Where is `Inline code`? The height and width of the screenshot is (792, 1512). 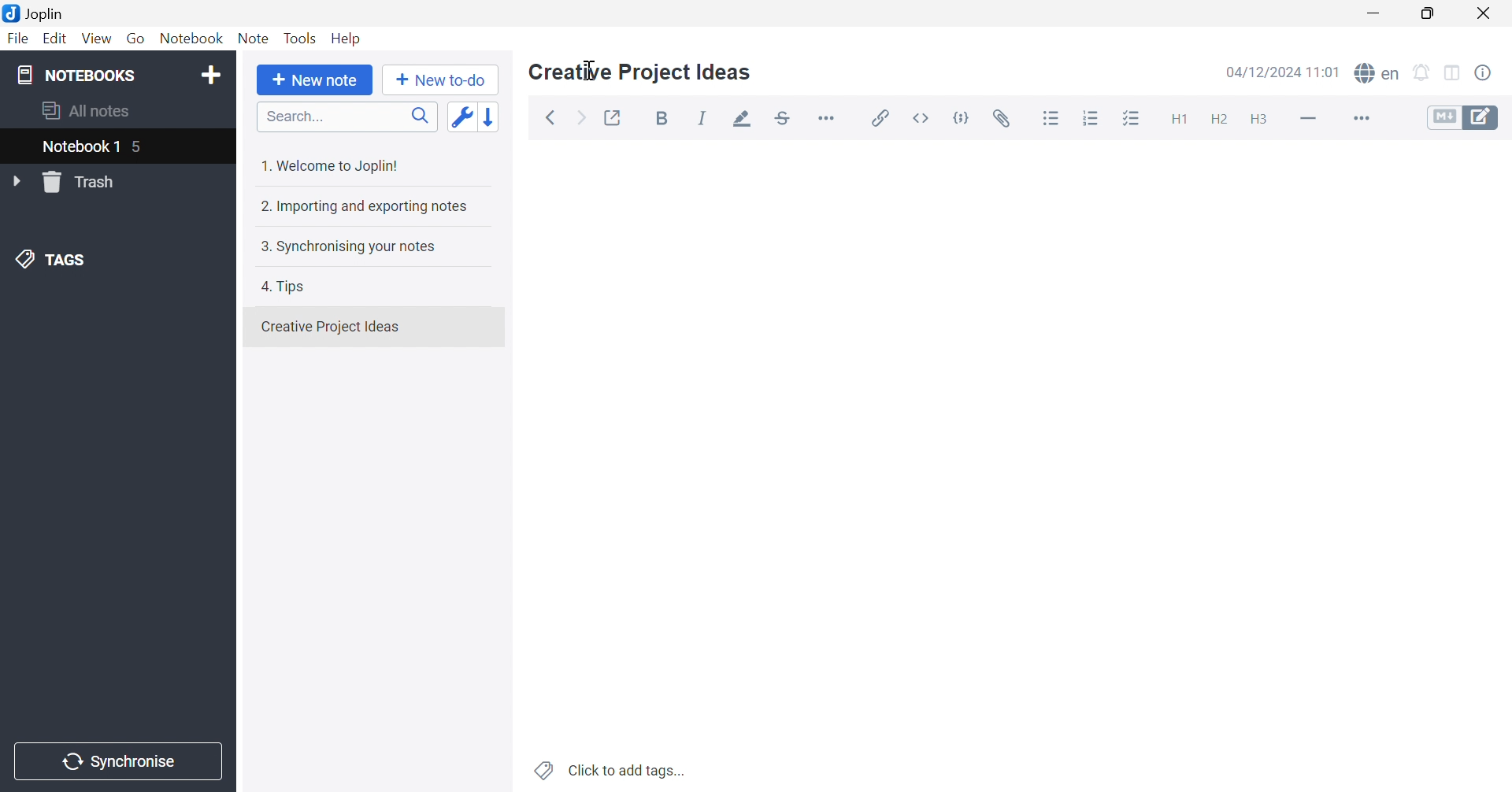
Inline code is located at coordinates (919, 117).